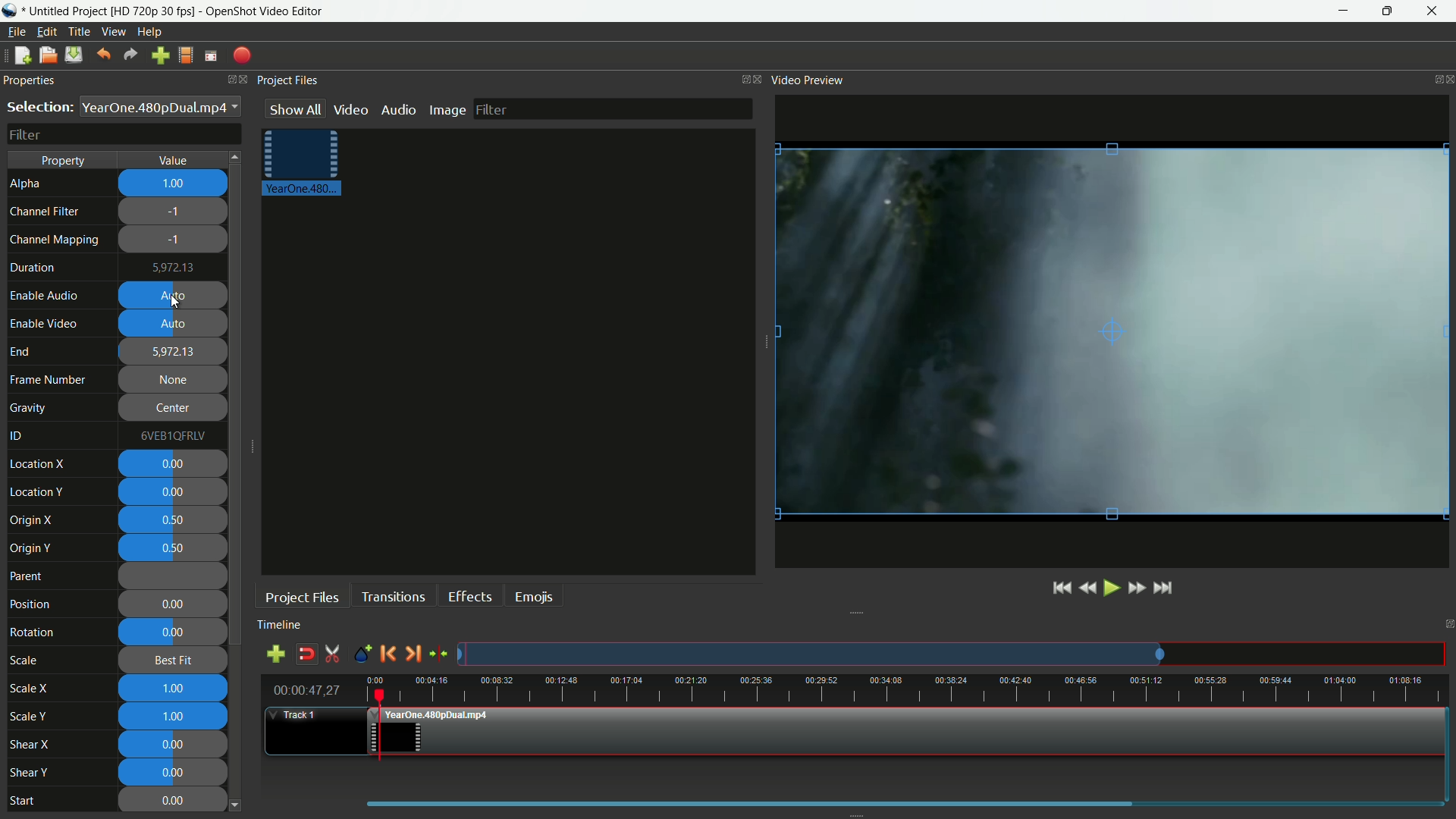  I want to click on 6VEB1QFRLV, so click(170, 435).